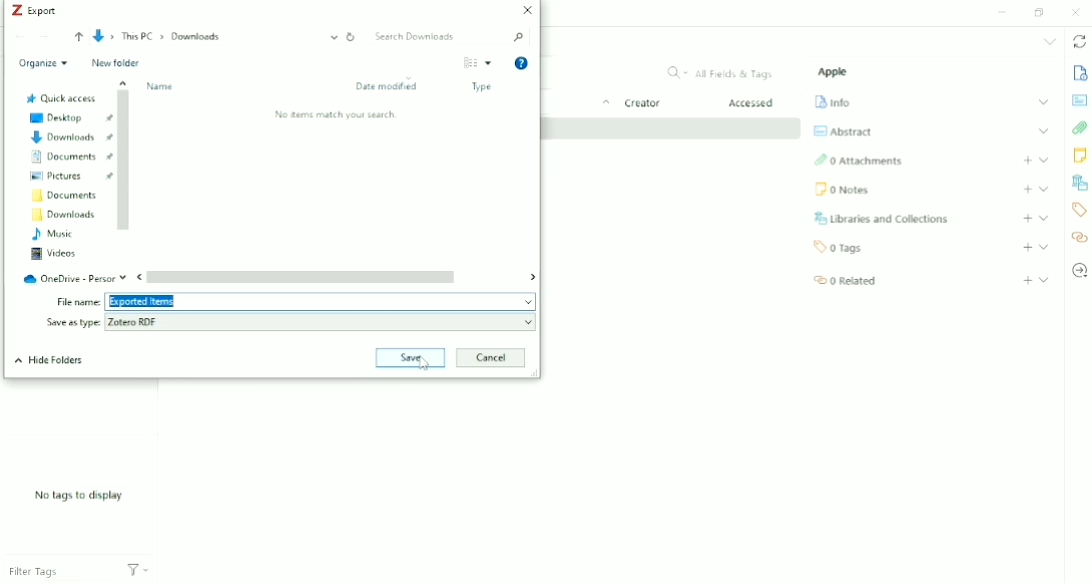  I want to click on Minimize, so click(1004, 11).